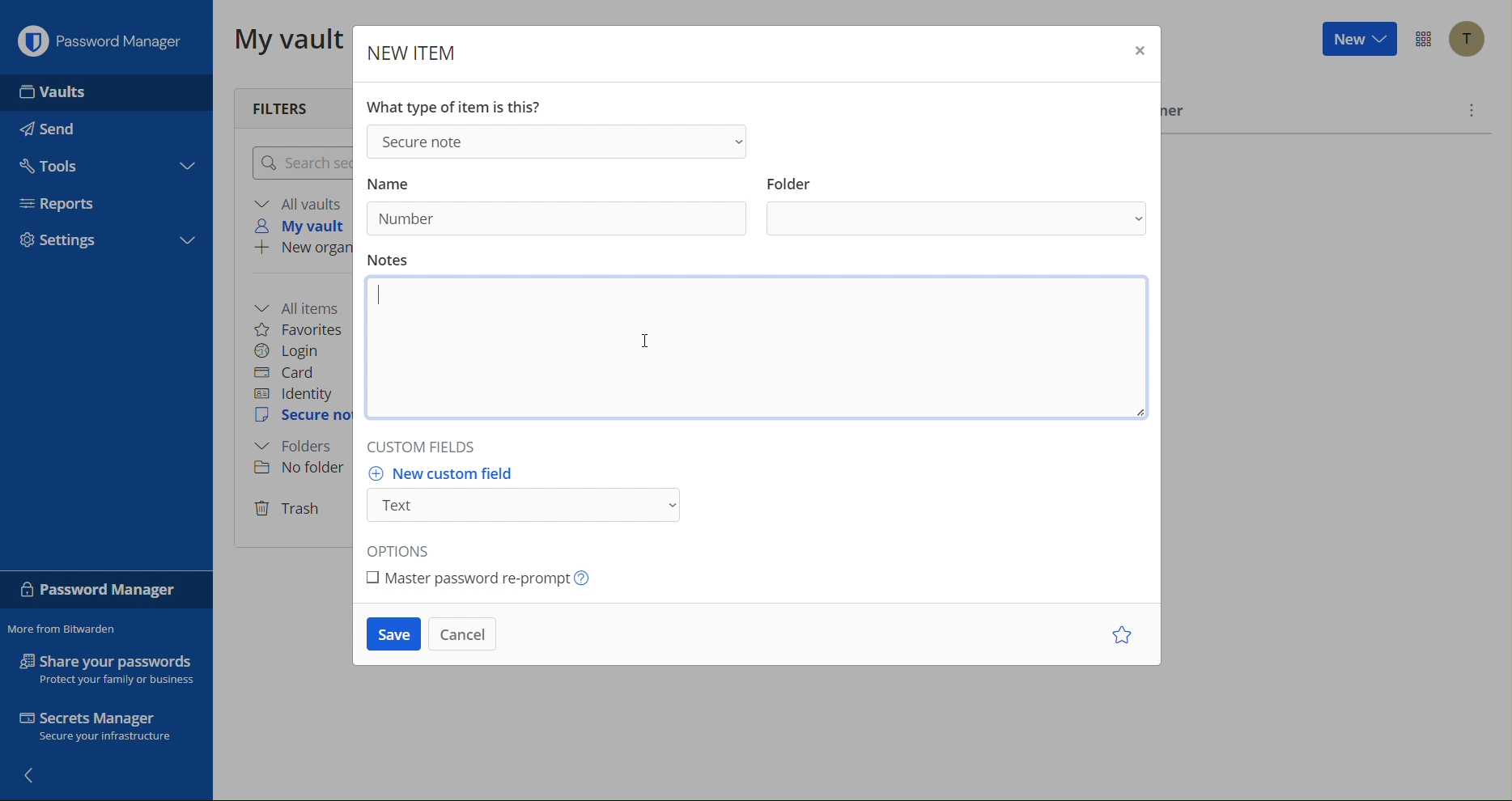 Image resolution: width=1512 pixels, height=801 pixels. Describe the element at coordinates (393, 638) in the screenshot. I see `Save` at that location.